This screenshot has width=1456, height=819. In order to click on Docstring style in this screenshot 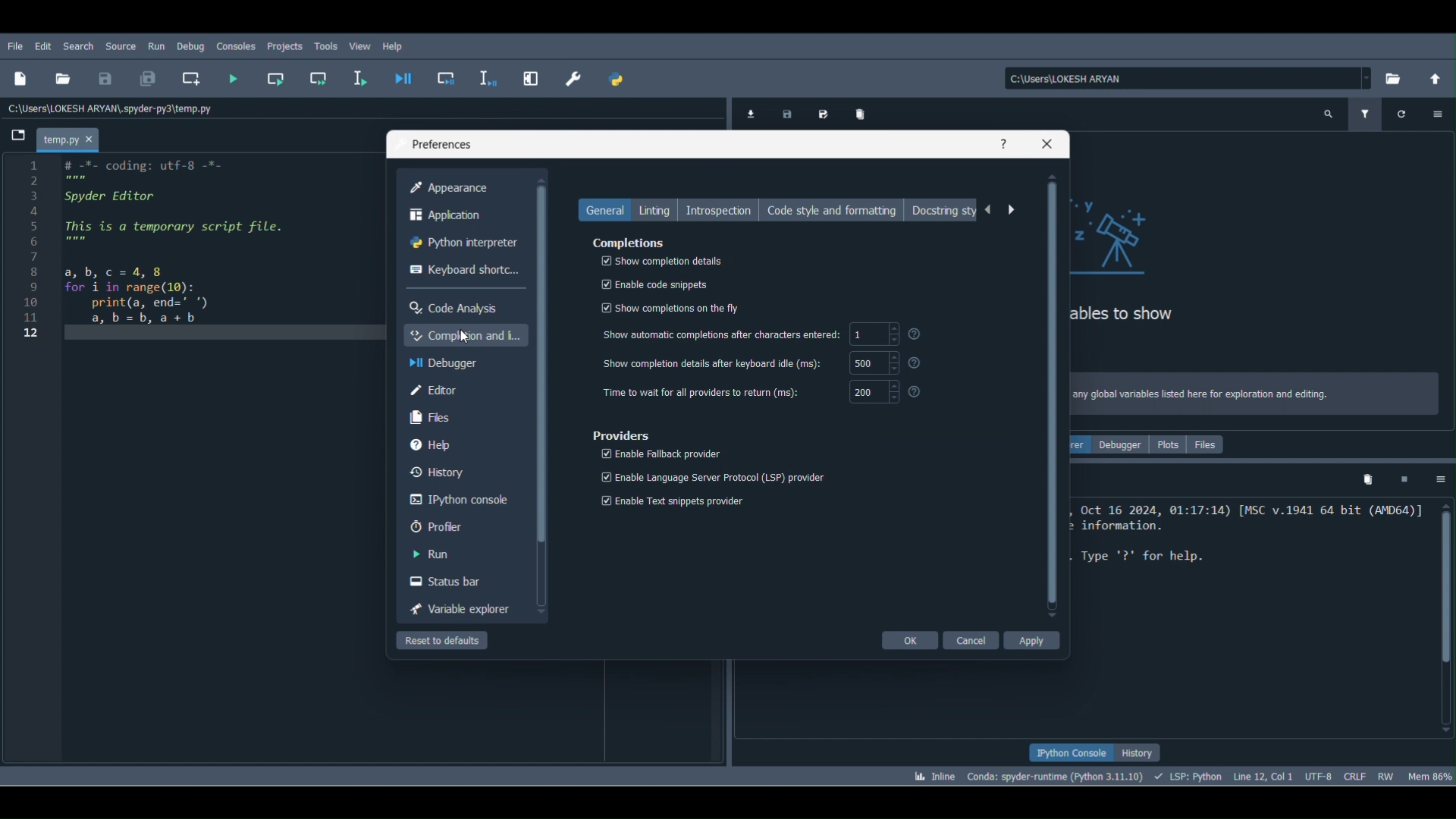, I will do `click(946, 212)`.